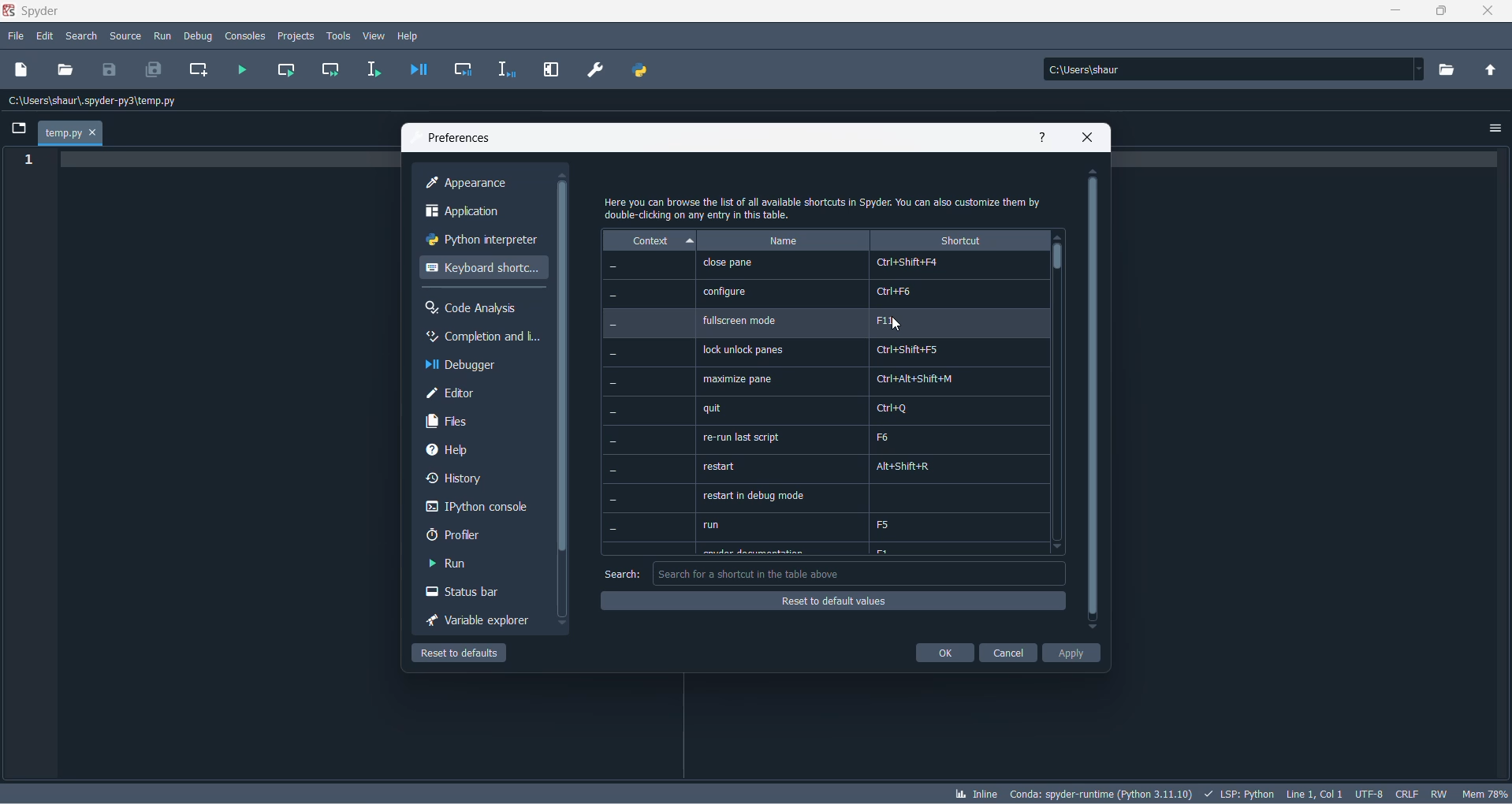  I want to click on open, so click(65, 69).